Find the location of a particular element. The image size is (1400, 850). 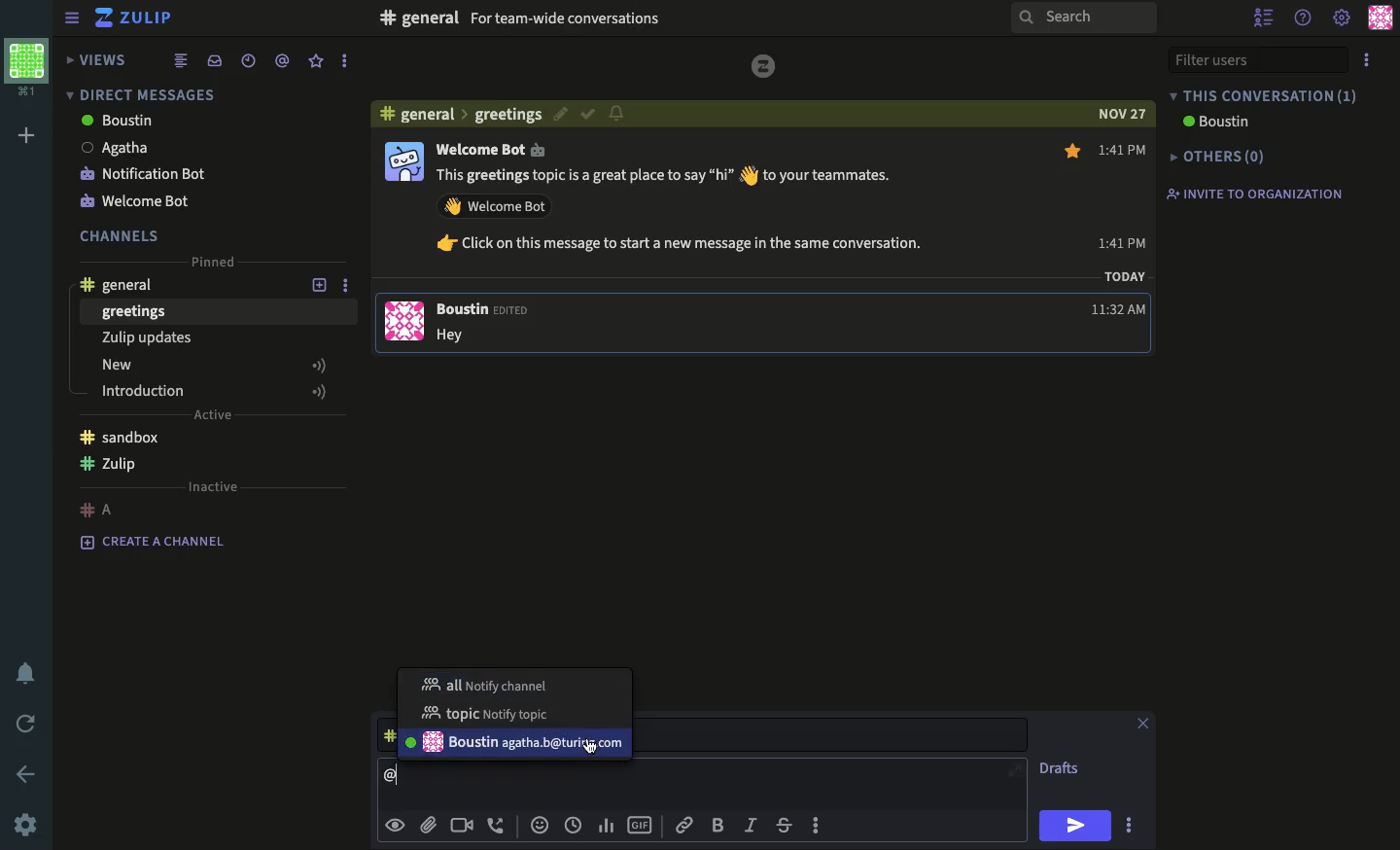

workspace is located at coordinates (30, 66).